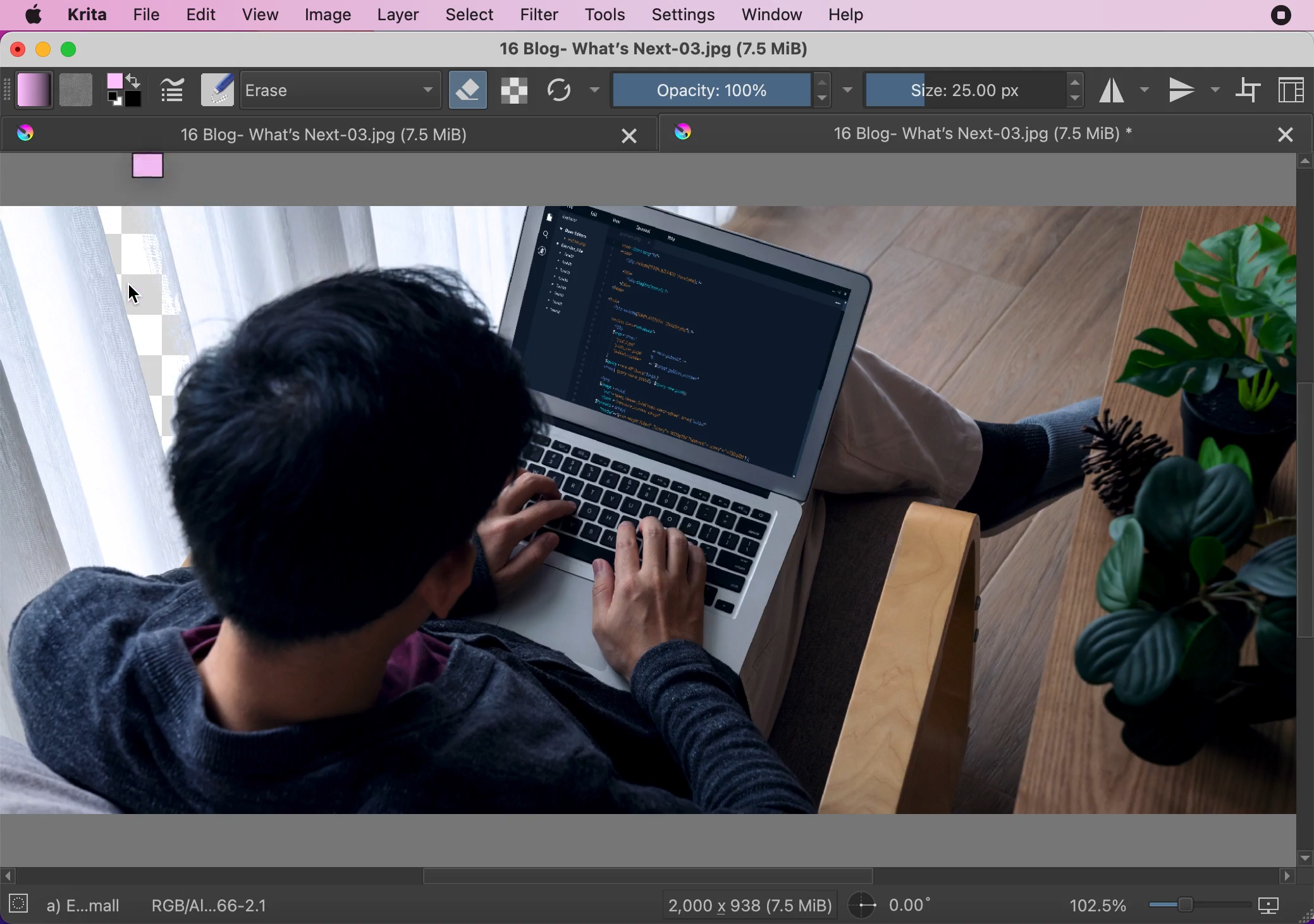 Image resolution: width=1314 pixels, height=924 pixels. Describe the element at coordinates (204, 15) in the screenshot. I see `edit` at that location.